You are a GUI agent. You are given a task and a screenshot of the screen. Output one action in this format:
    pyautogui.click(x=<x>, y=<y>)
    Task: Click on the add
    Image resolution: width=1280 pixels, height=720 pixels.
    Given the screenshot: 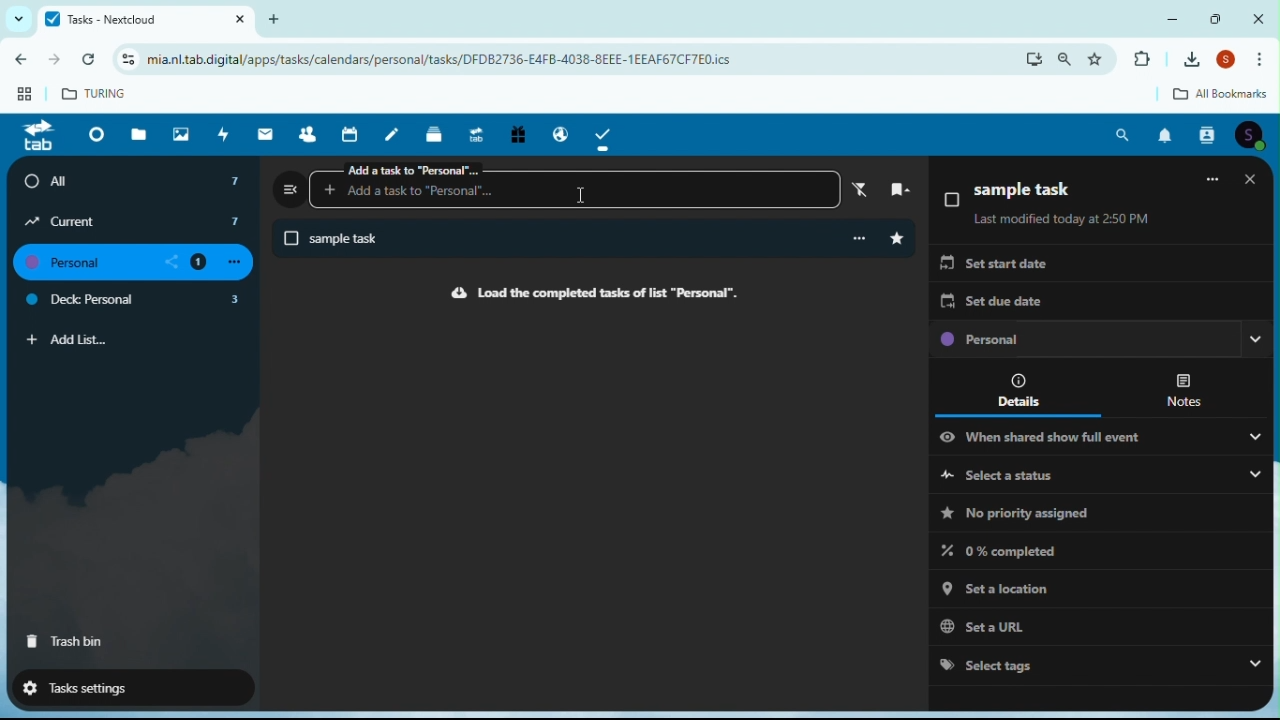 What is the action you would take?
    pyautogui.click(x=281, y=18)
    